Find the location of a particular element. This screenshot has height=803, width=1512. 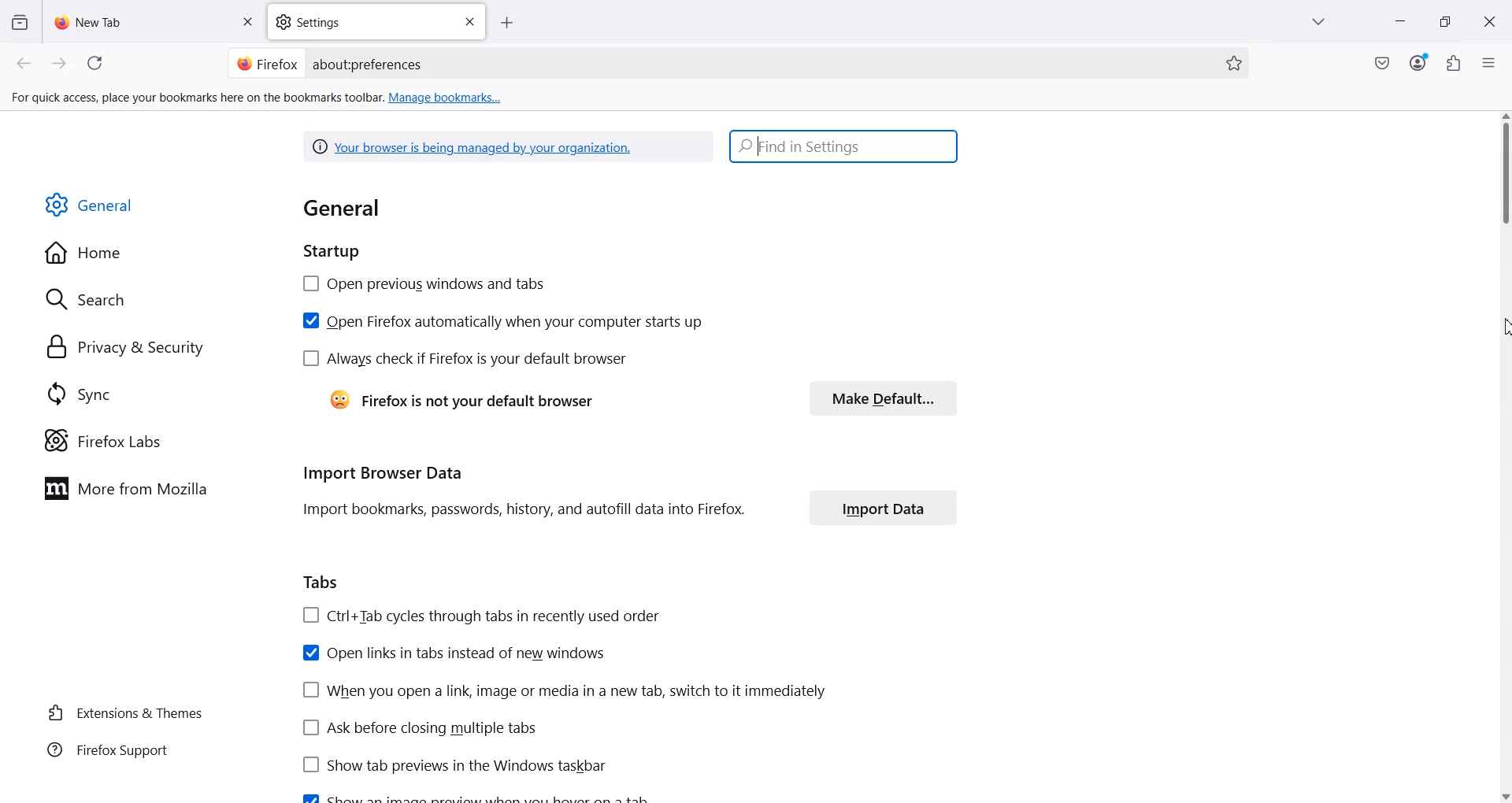

Vertical Scroll bar is located at coordinates (1503, 175).